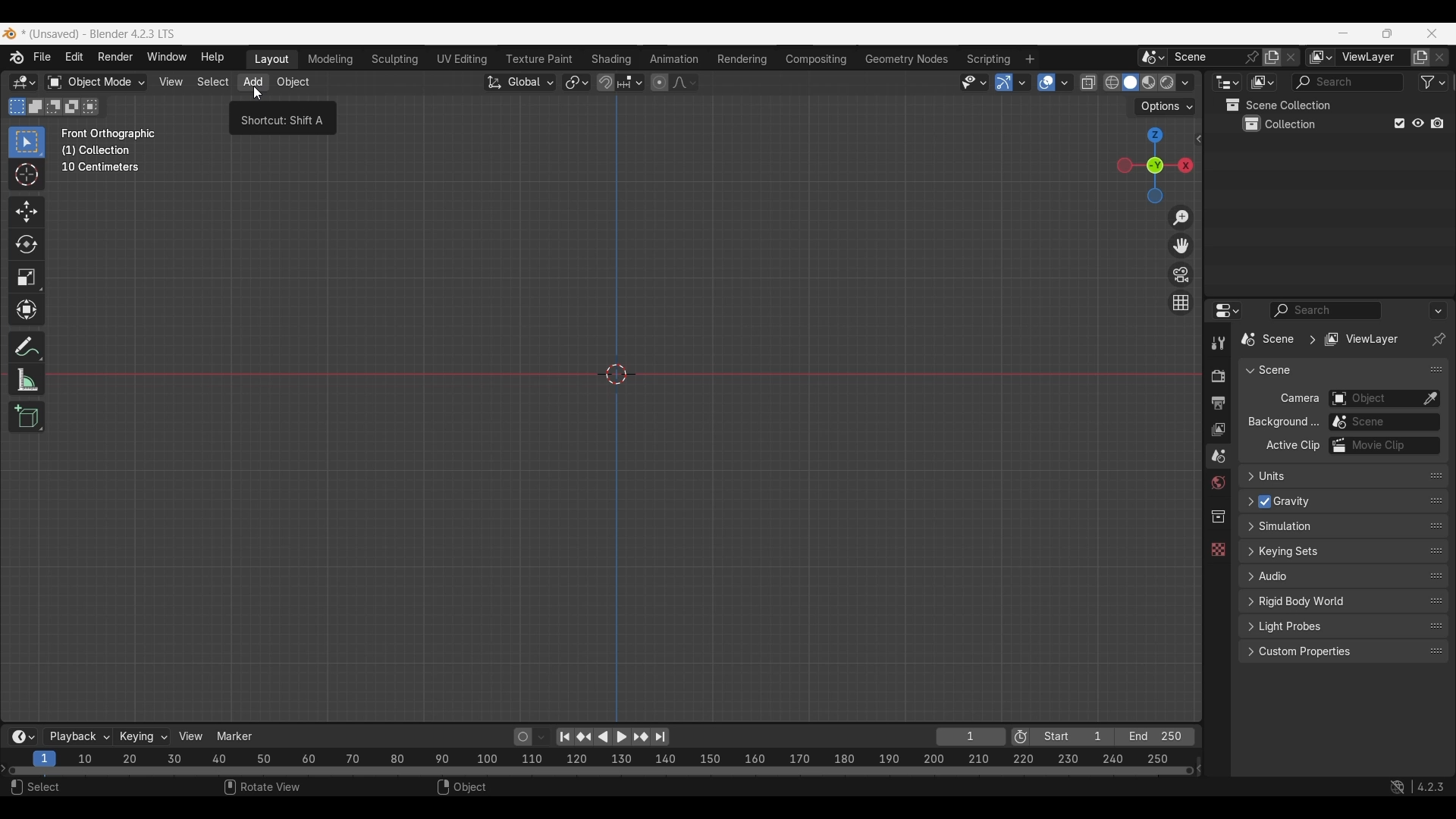  Describe the element at coordinates (96, 83) in the screenshot. I see `Sets the object interaction mode` at that location.